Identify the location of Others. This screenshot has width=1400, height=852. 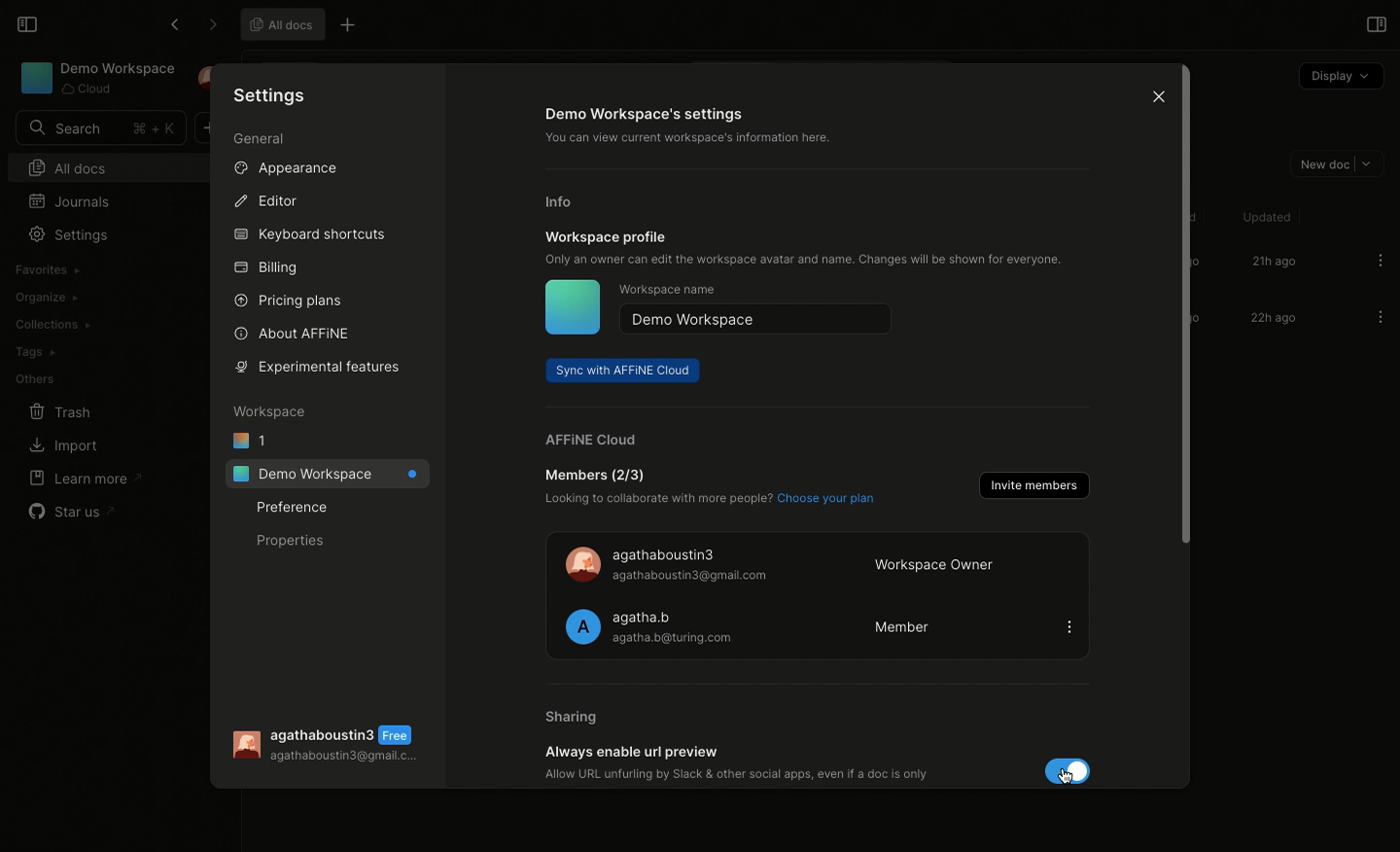
(35, 379).